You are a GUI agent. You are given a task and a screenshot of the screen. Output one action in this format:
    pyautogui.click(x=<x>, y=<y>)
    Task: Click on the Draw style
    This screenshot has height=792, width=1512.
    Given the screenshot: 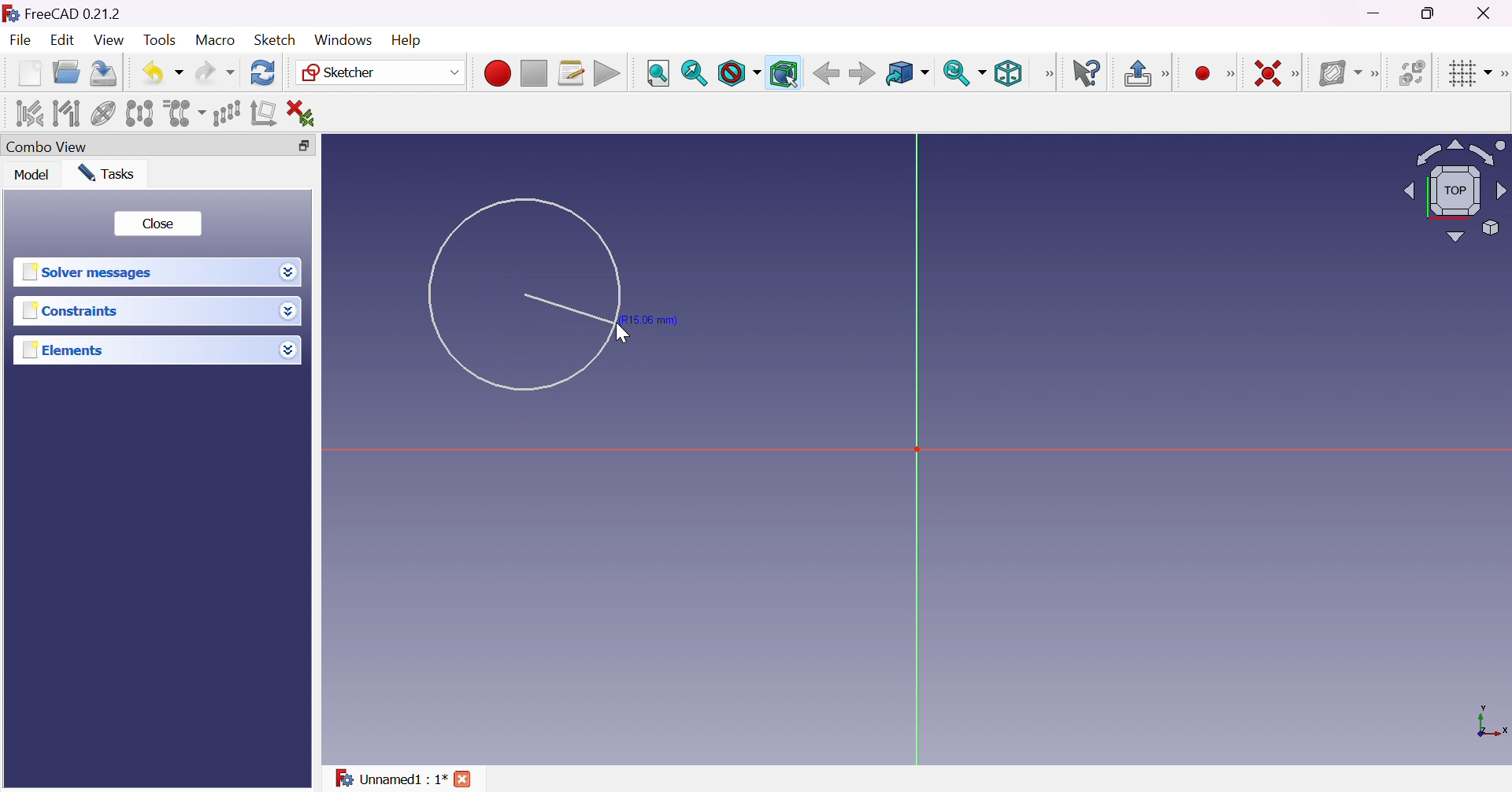 What is the action you would take?
    pyautogui.click(x=739, y=74)
    